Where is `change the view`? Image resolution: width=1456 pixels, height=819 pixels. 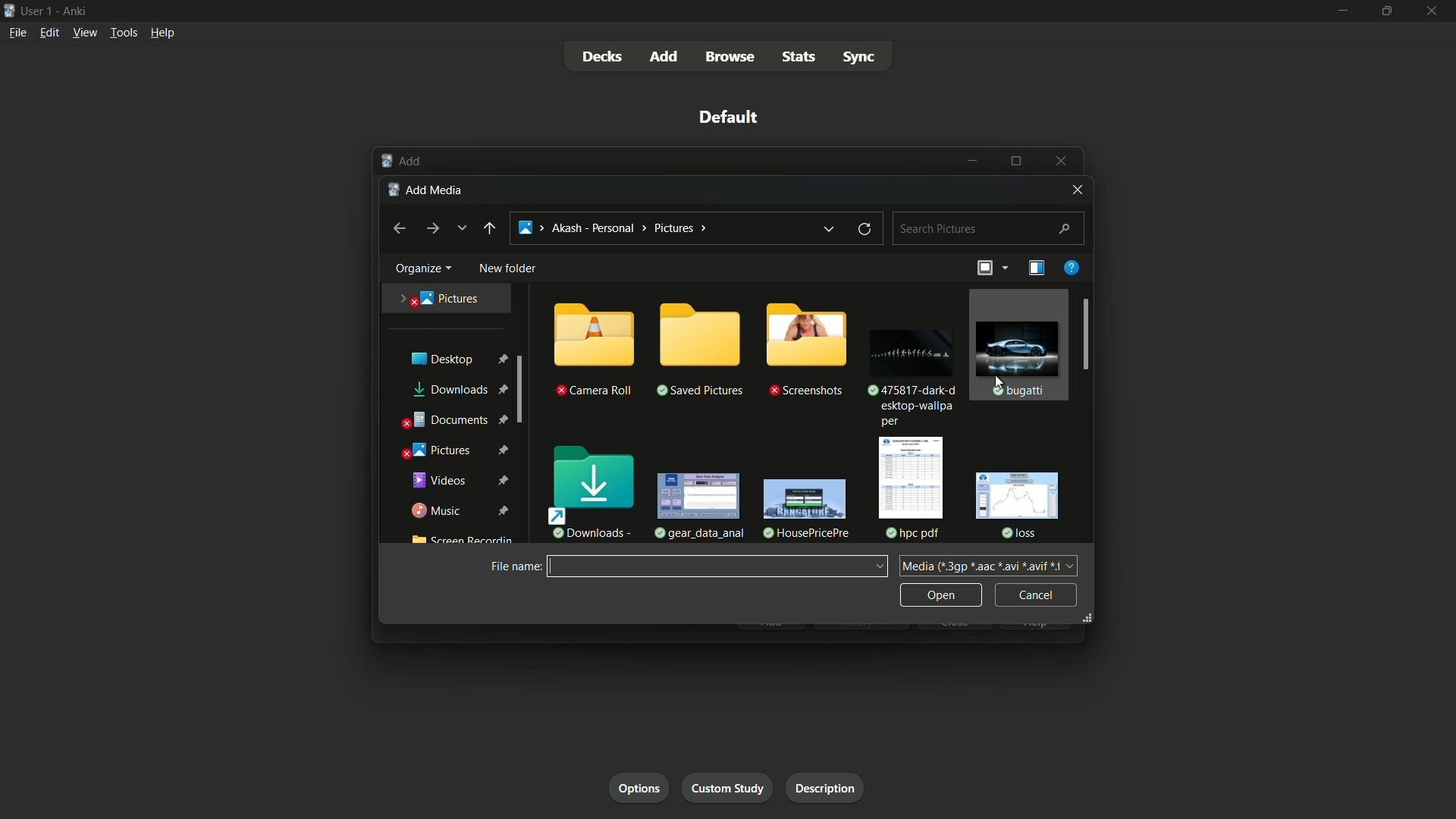
change the view is located at coordinates (981, 268).